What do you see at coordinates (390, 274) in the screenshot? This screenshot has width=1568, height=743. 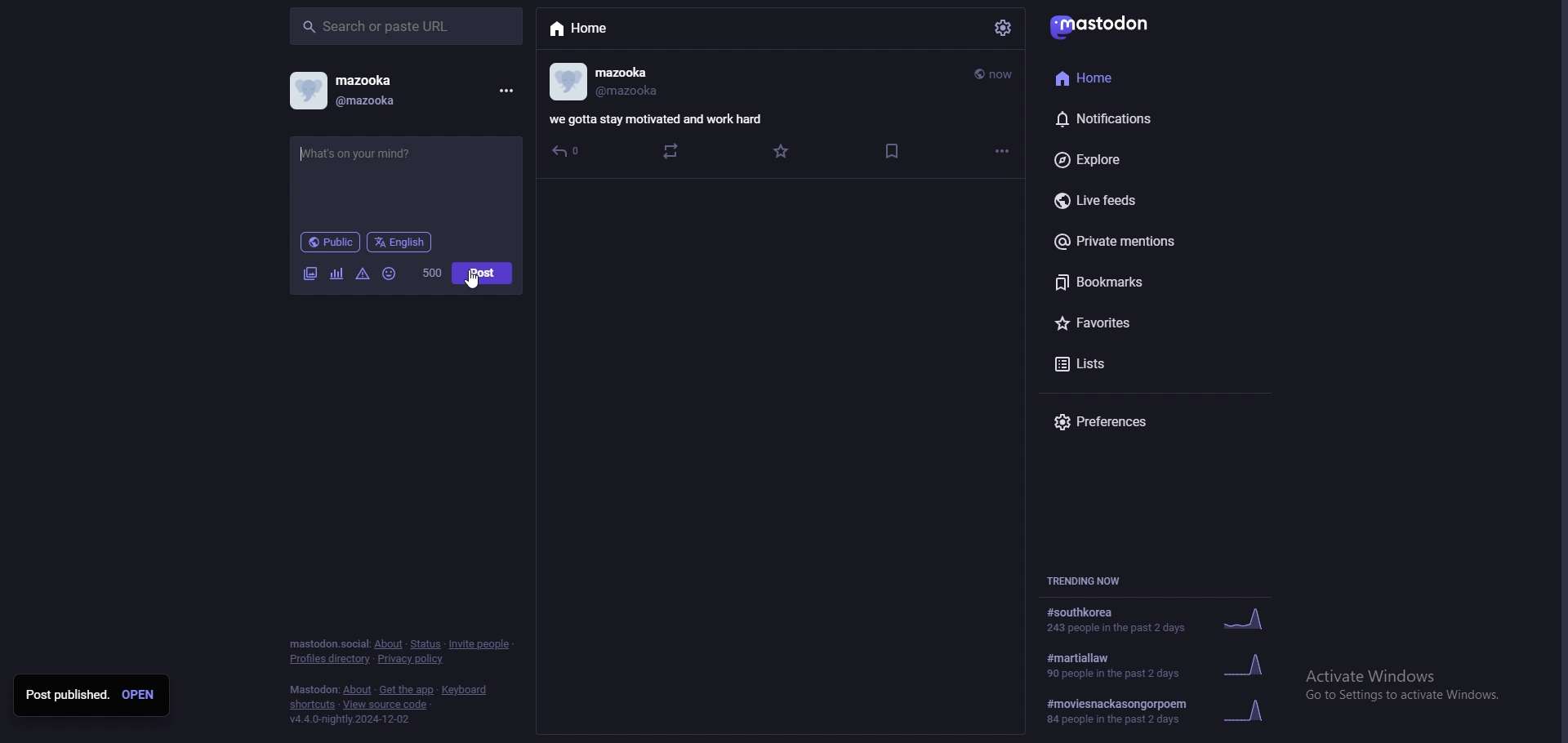 I see `emoji` at bounding box center [390, 274].